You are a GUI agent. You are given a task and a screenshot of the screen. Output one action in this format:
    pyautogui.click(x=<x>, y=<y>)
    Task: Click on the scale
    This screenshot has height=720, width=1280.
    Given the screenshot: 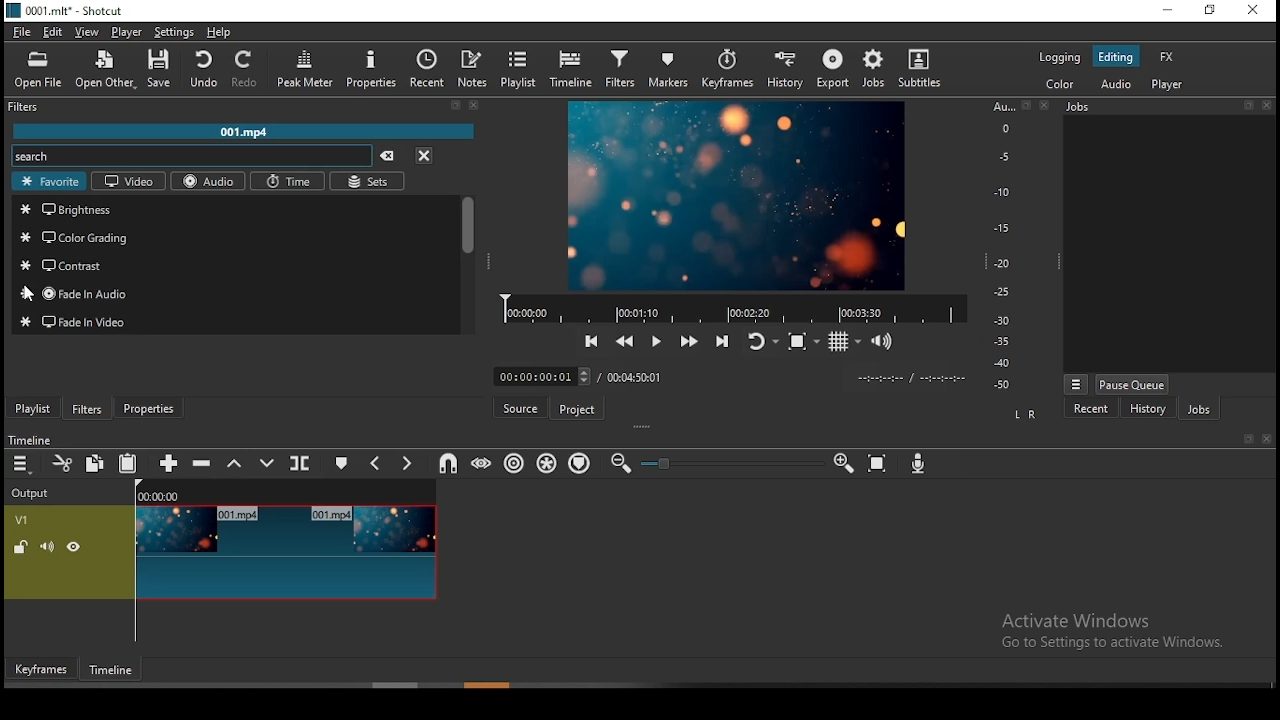 What is the action you would take?
    pyautogui.click(x=1007, y=247)
    